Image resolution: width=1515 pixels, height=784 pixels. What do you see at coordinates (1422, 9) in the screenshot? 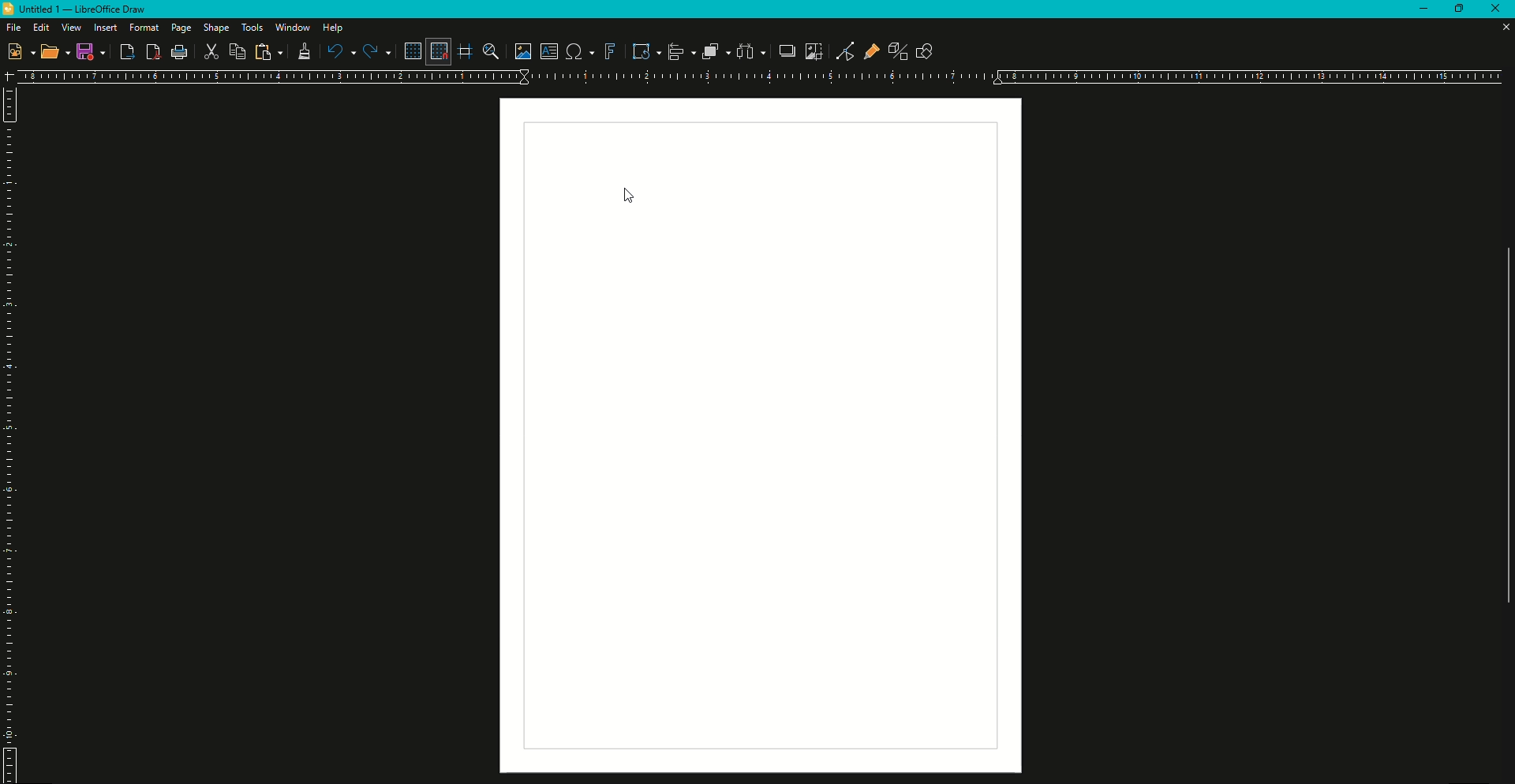
I see `Minimize` at bounding box center [1422, 9].